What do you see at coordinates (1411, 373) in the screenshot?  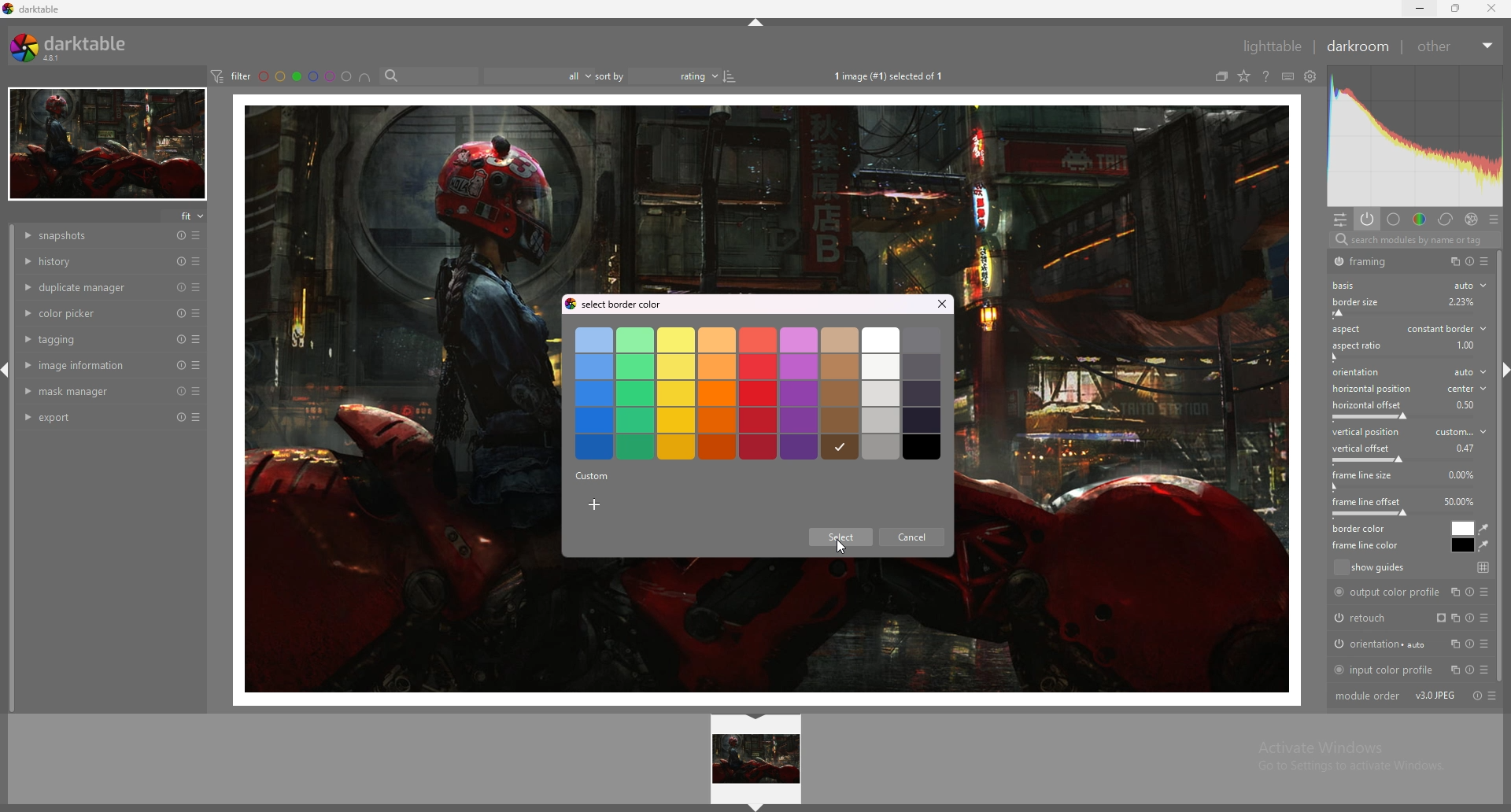 I see `orientation` at bounding box center [1411, 373].